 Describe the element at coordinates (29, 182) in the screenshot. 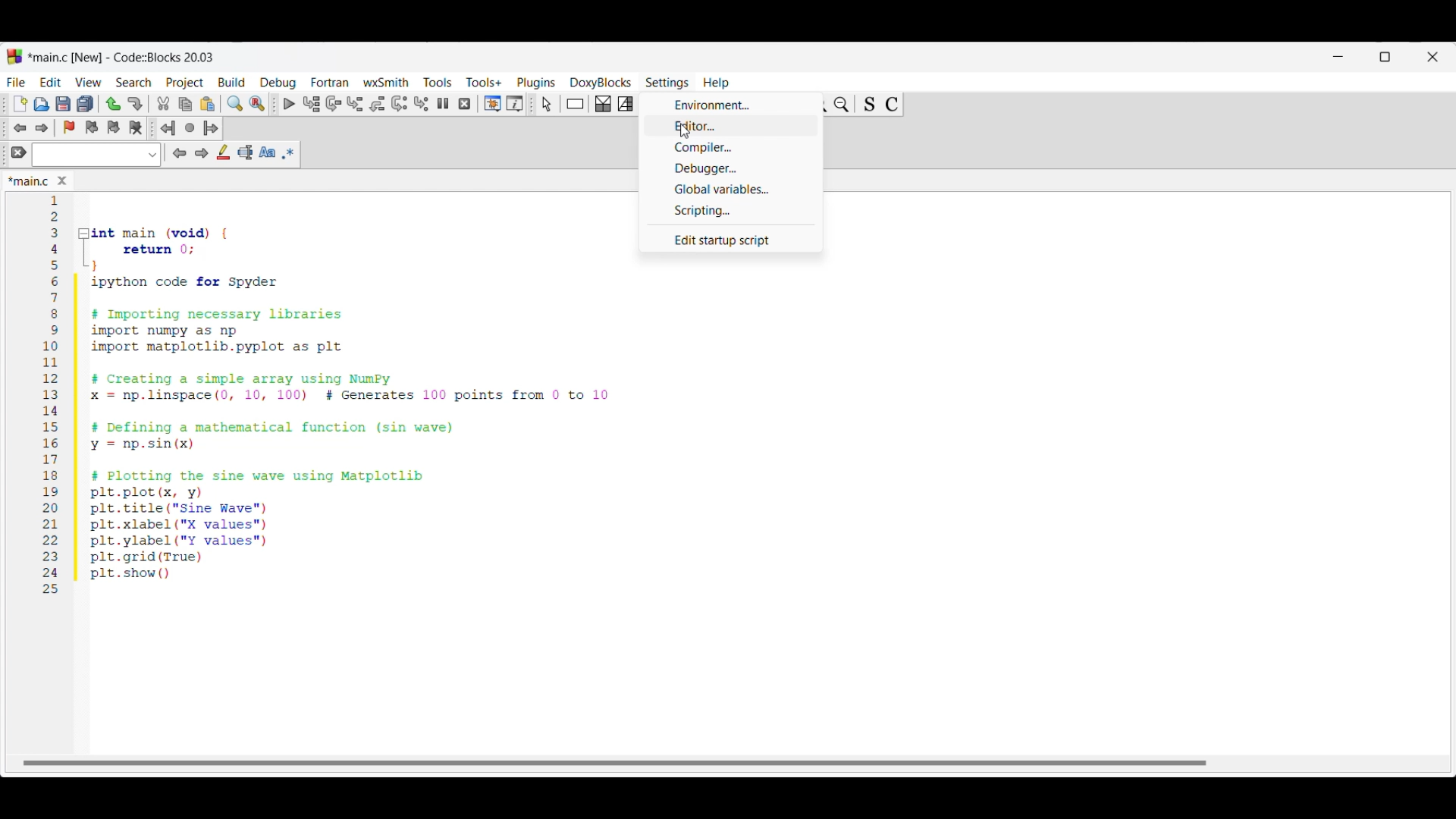

I see `Current tab` at that location.